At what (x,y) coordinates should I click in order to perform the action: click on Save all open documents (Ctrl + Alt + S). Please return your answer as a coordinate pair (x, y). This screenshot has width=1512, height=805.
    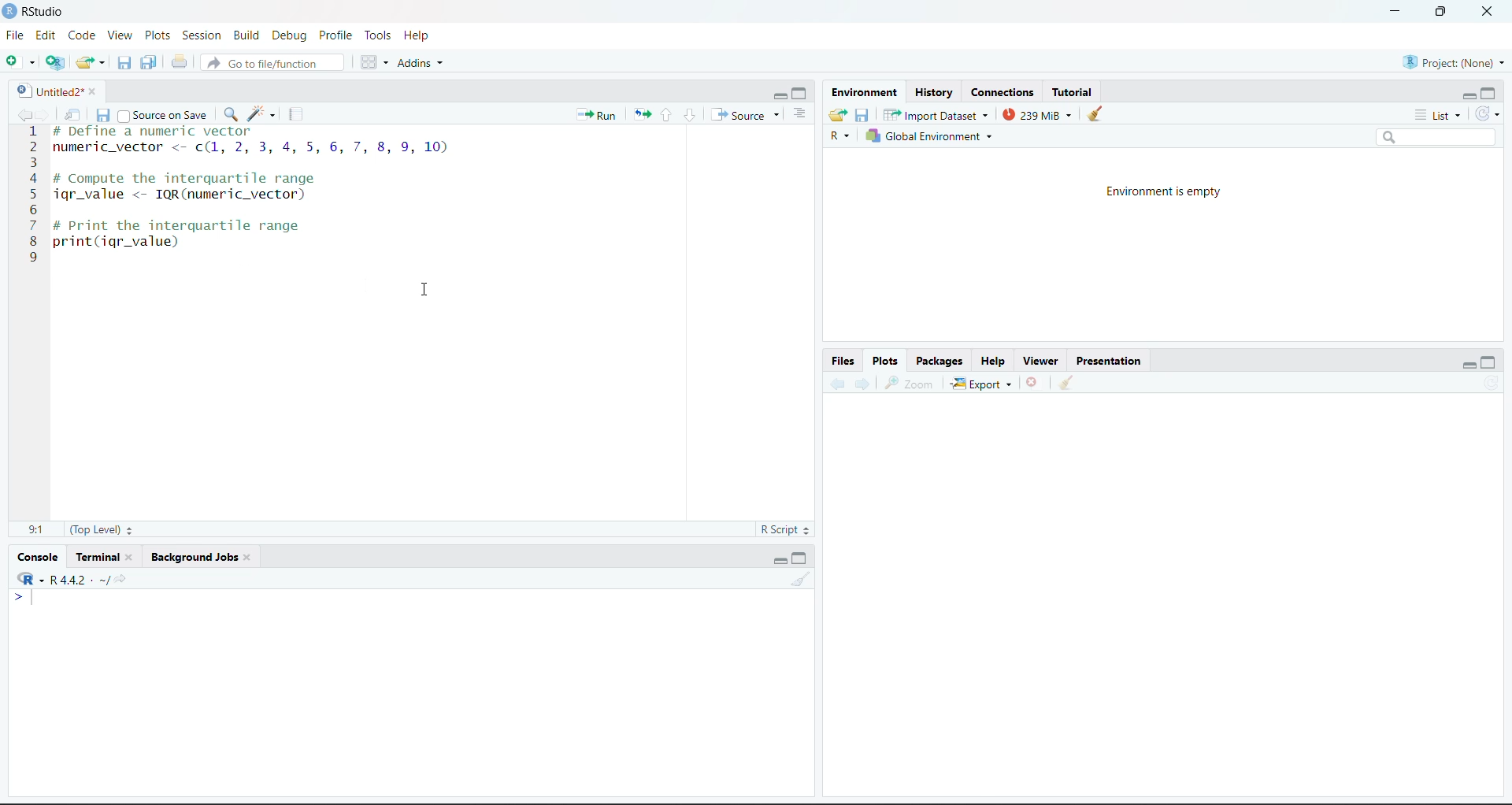
    Looking at the image, I should click on (149, 62).